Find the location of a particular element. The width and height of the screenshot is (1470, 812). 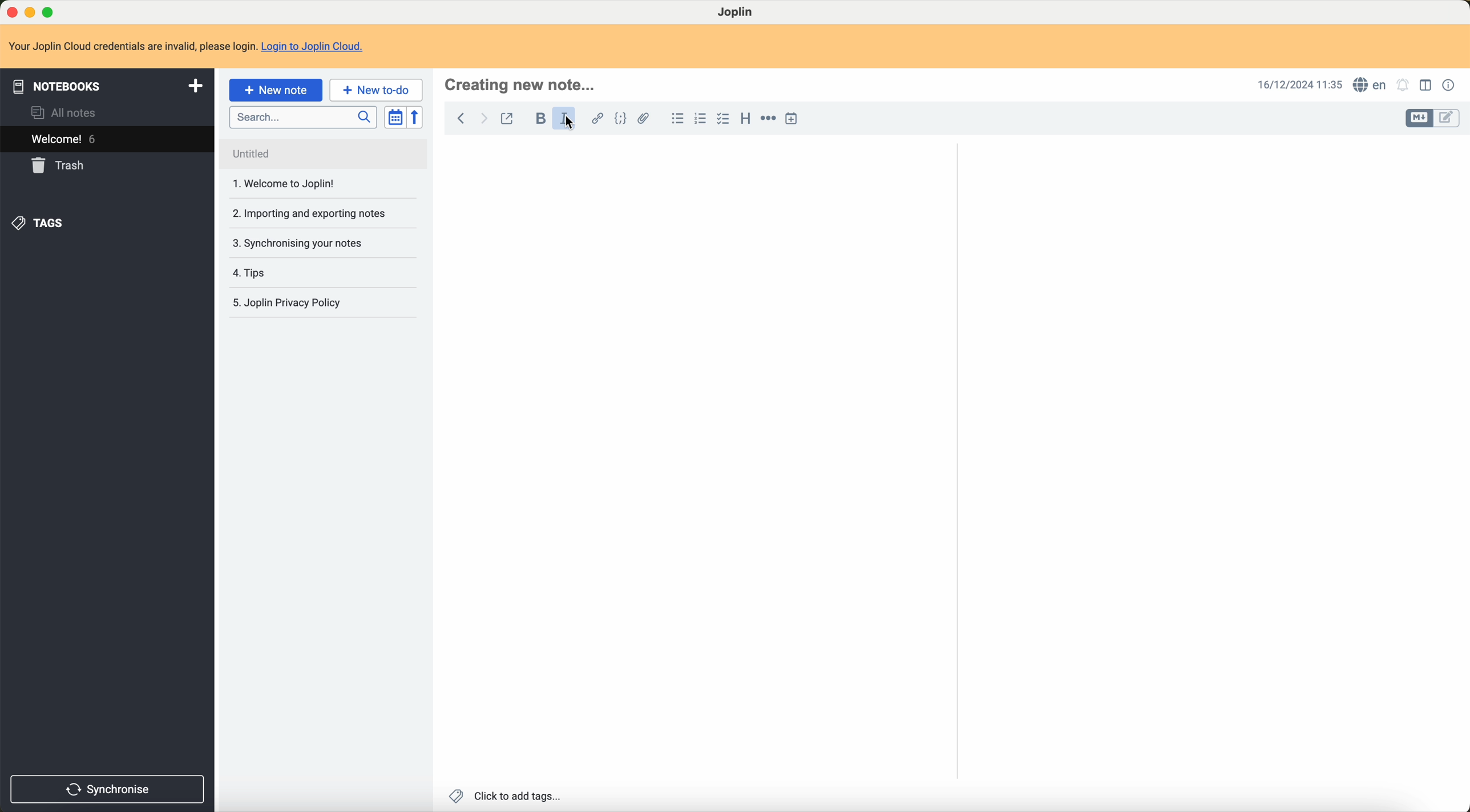

5.Joplin privacy policy is located at coordinates (293, 302).